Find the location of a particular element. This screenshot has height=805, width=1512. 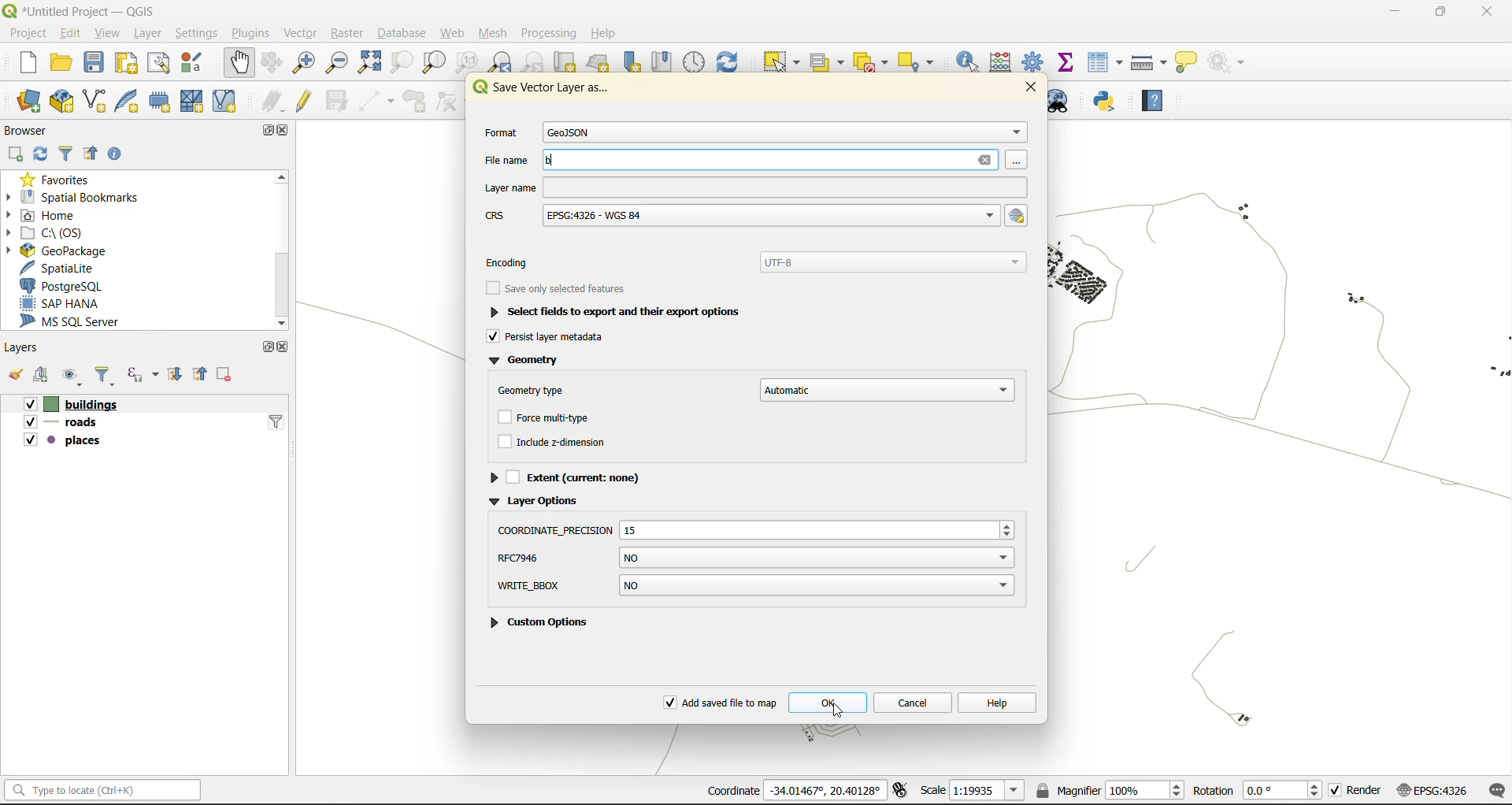

vector is located at coordinates (306, 35).